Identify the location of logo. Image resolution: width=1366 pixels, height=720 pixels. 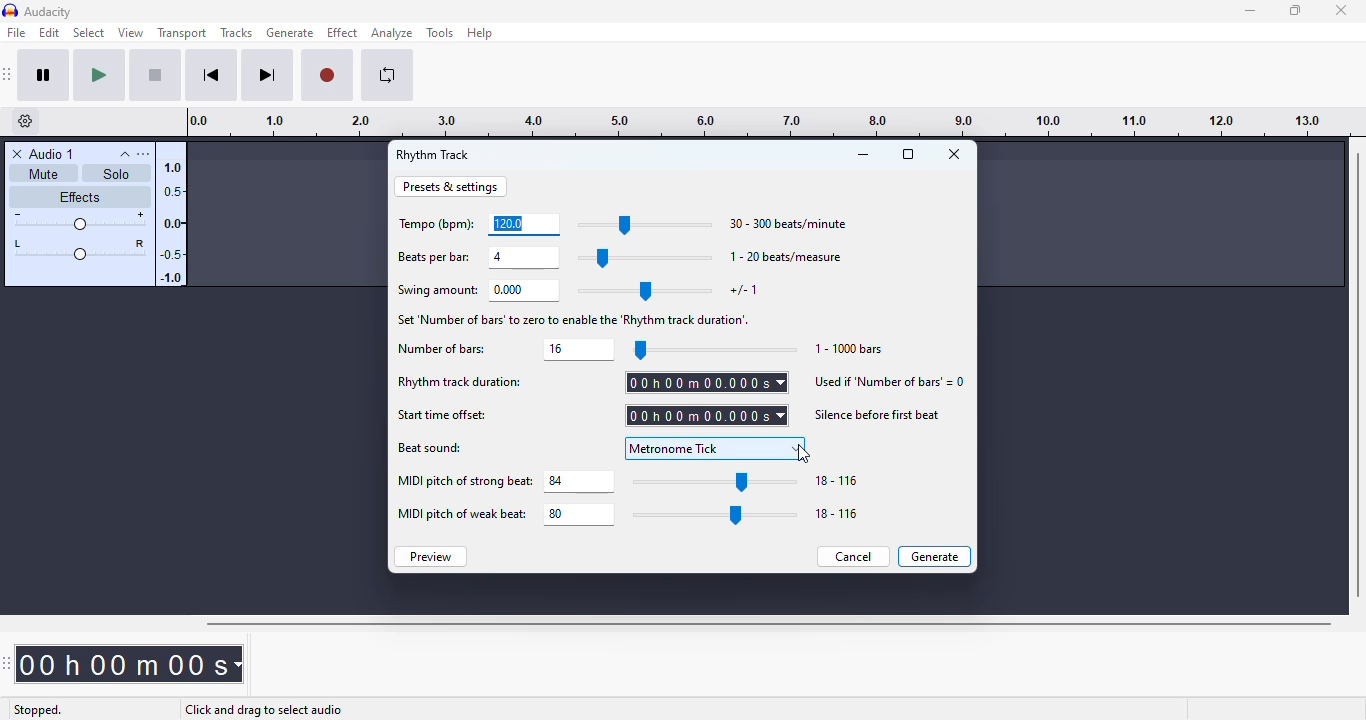
(10, 10).